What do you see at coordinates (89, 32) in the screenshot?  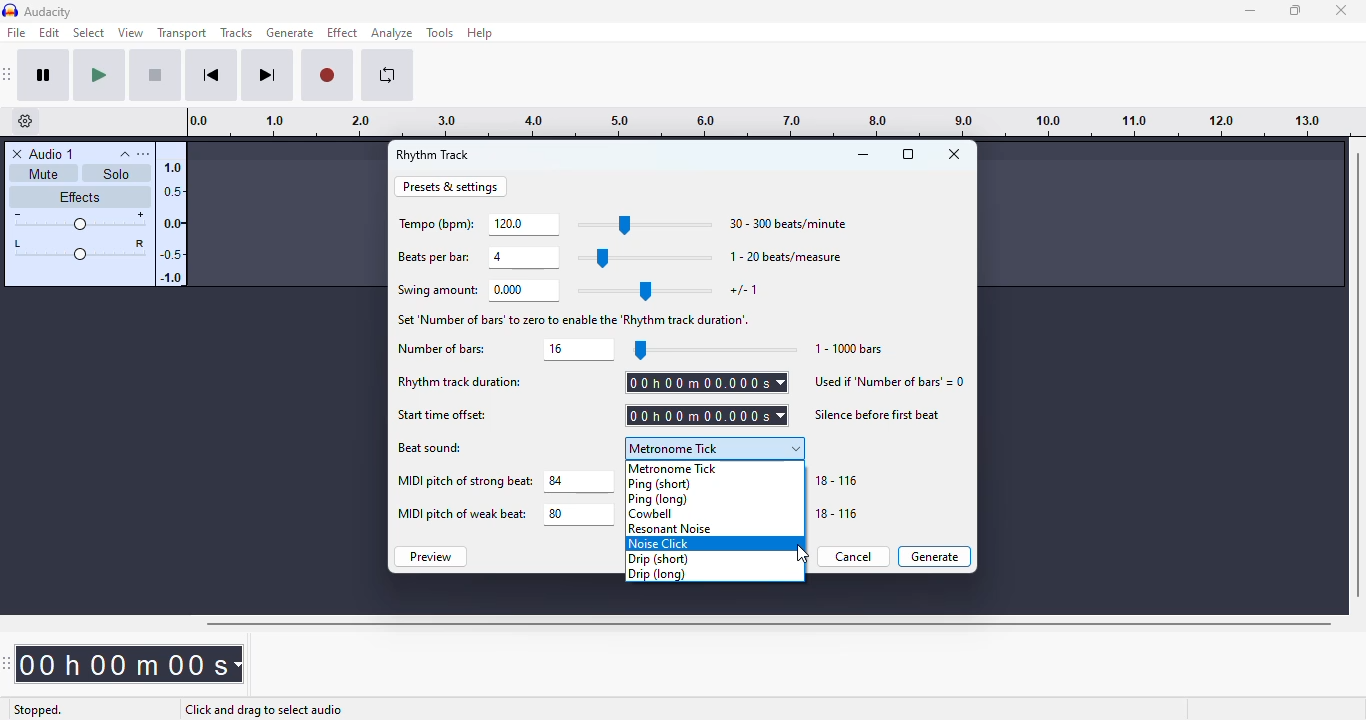 I see `select` at bounding box center [89, 32].